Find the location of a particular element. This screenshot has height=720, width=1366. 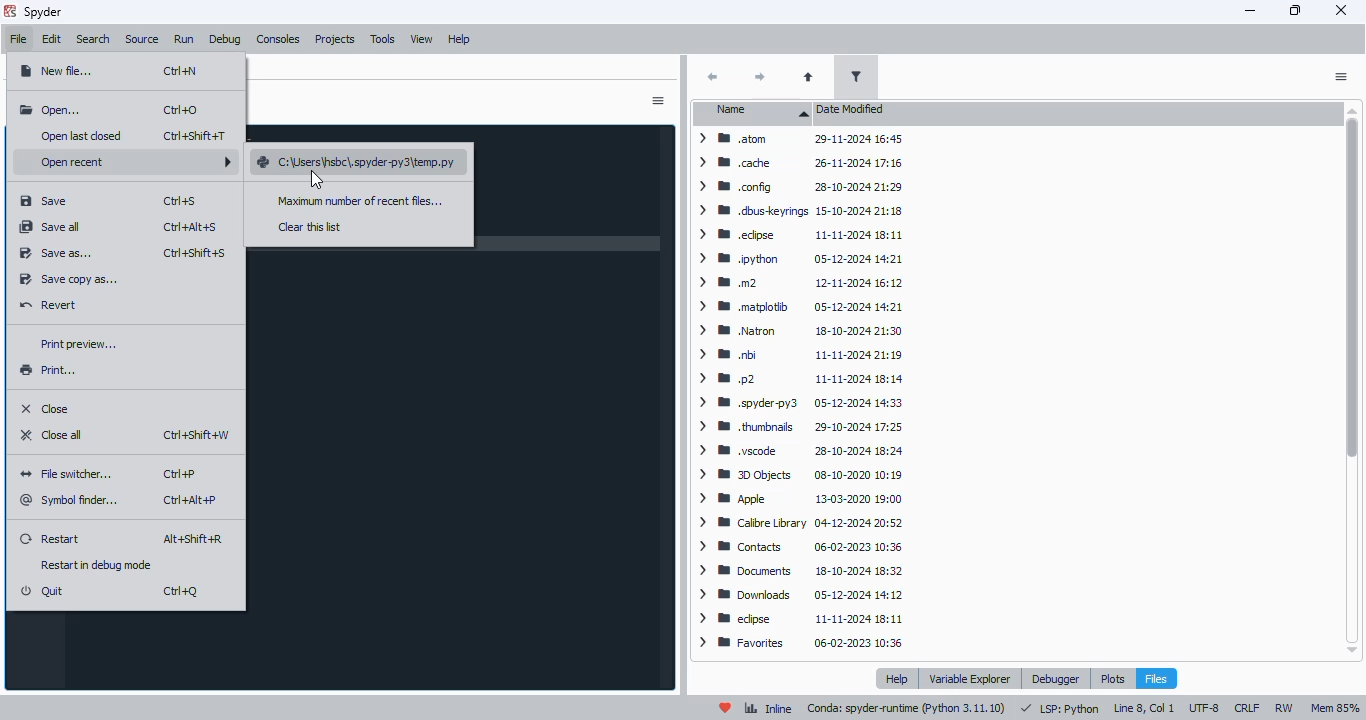

shortcut for quit is located at coordinates (180, 591).